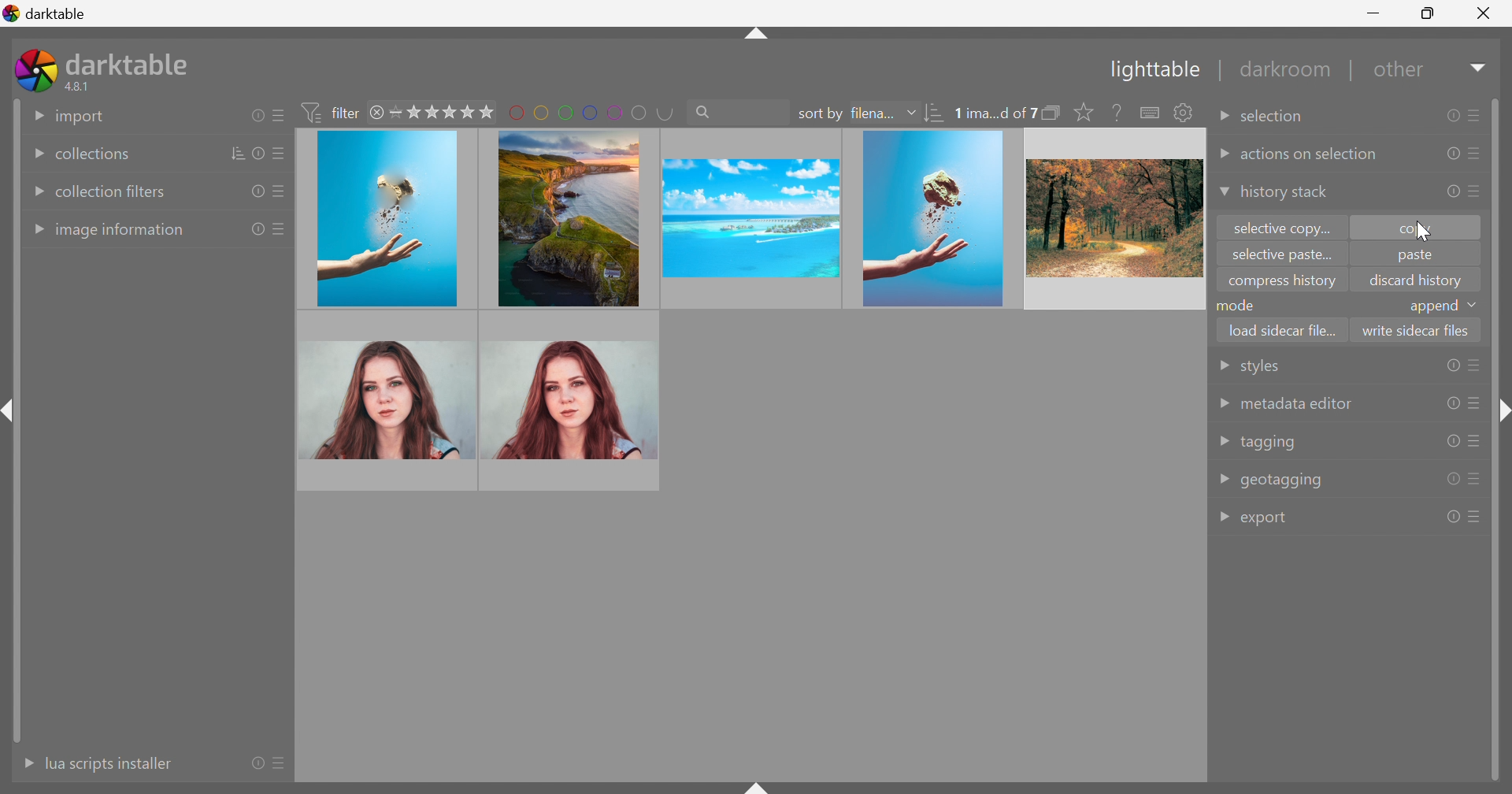  Describe the element at coordinates (443, 112) in the screenshot. I see `range rating` at that location.